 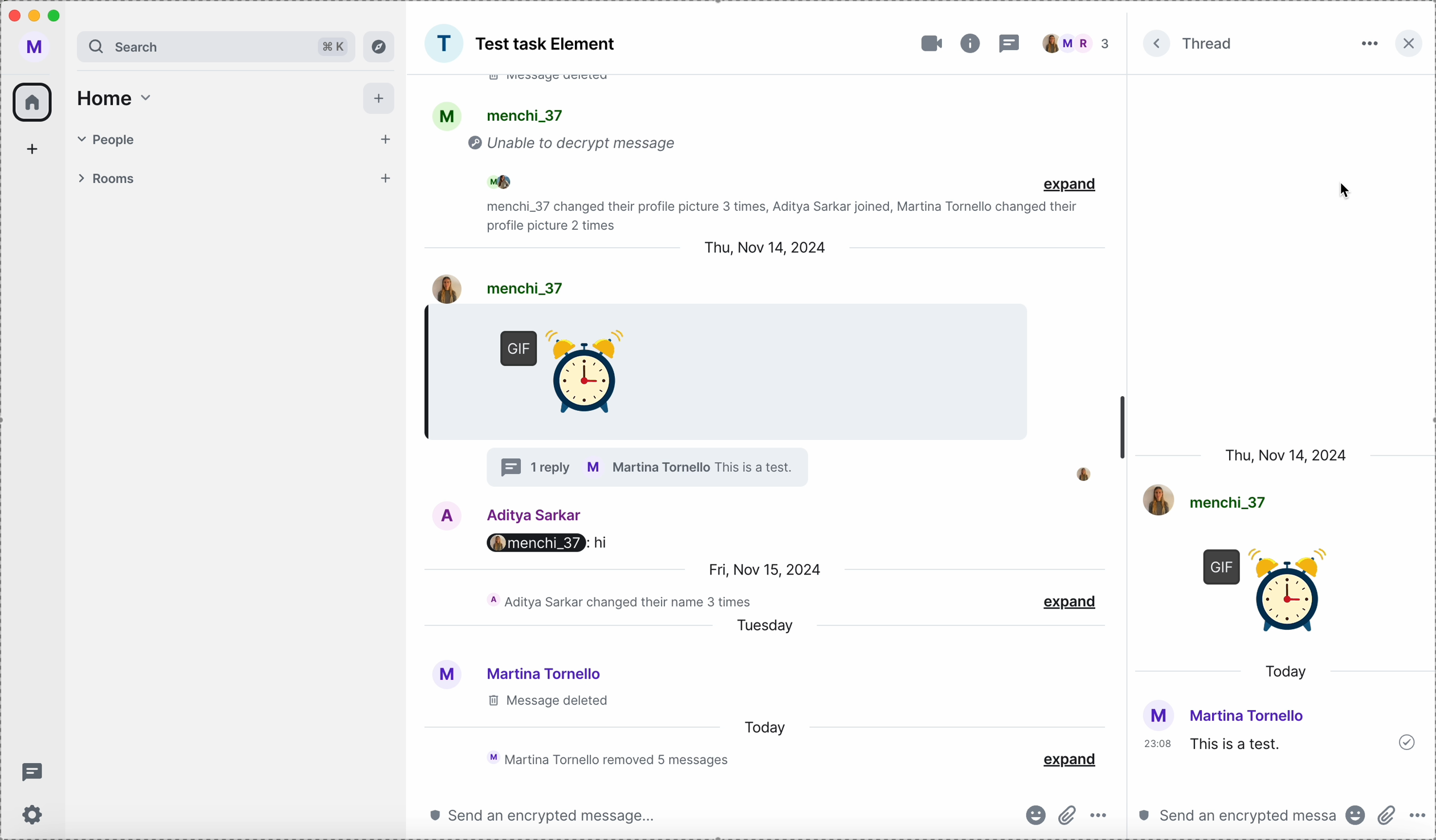 What do you see at coordinates (1072, 599) in the screenshot?
I see `expand` at bounding box center [1072, 599].